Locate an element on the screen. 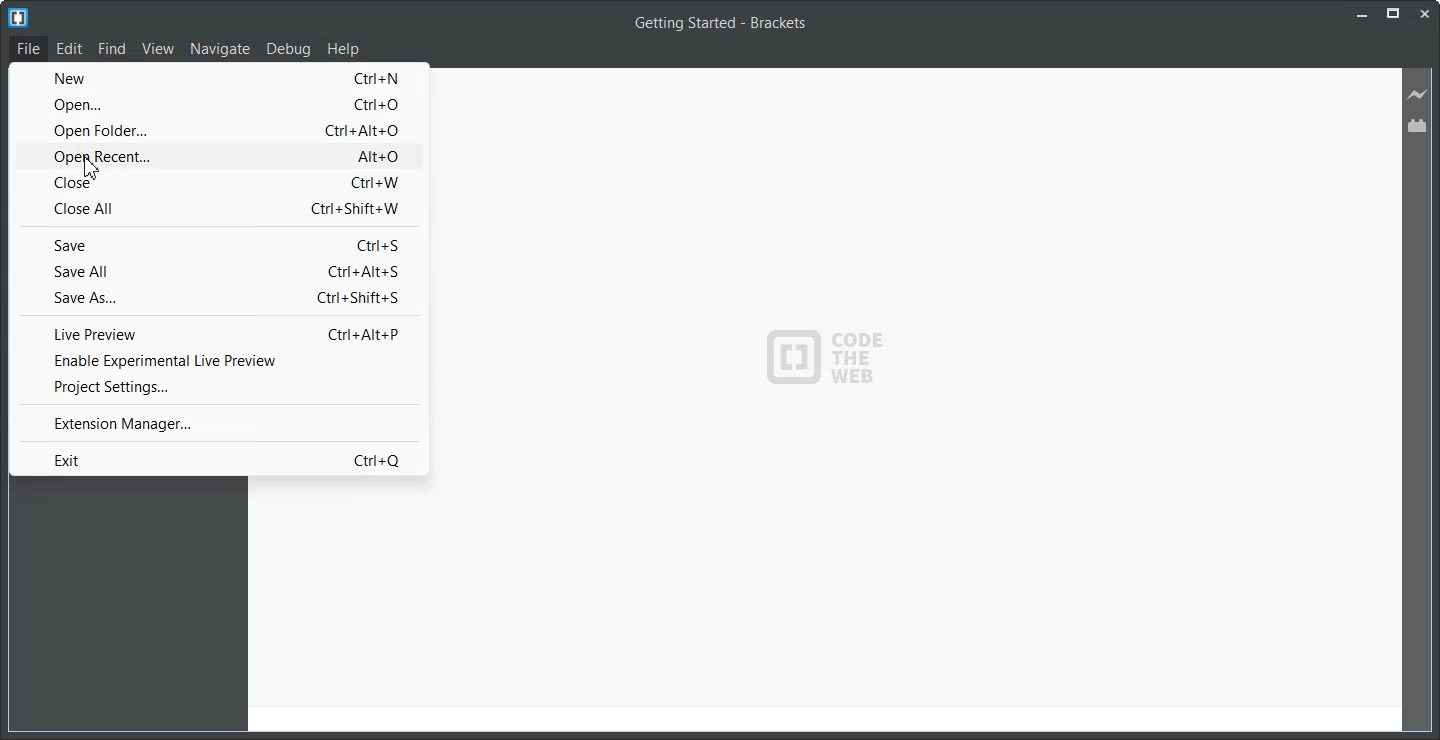 The width and height of the screenshot is (1440, 740). Extension Manager is located at coordinates (221, 423).